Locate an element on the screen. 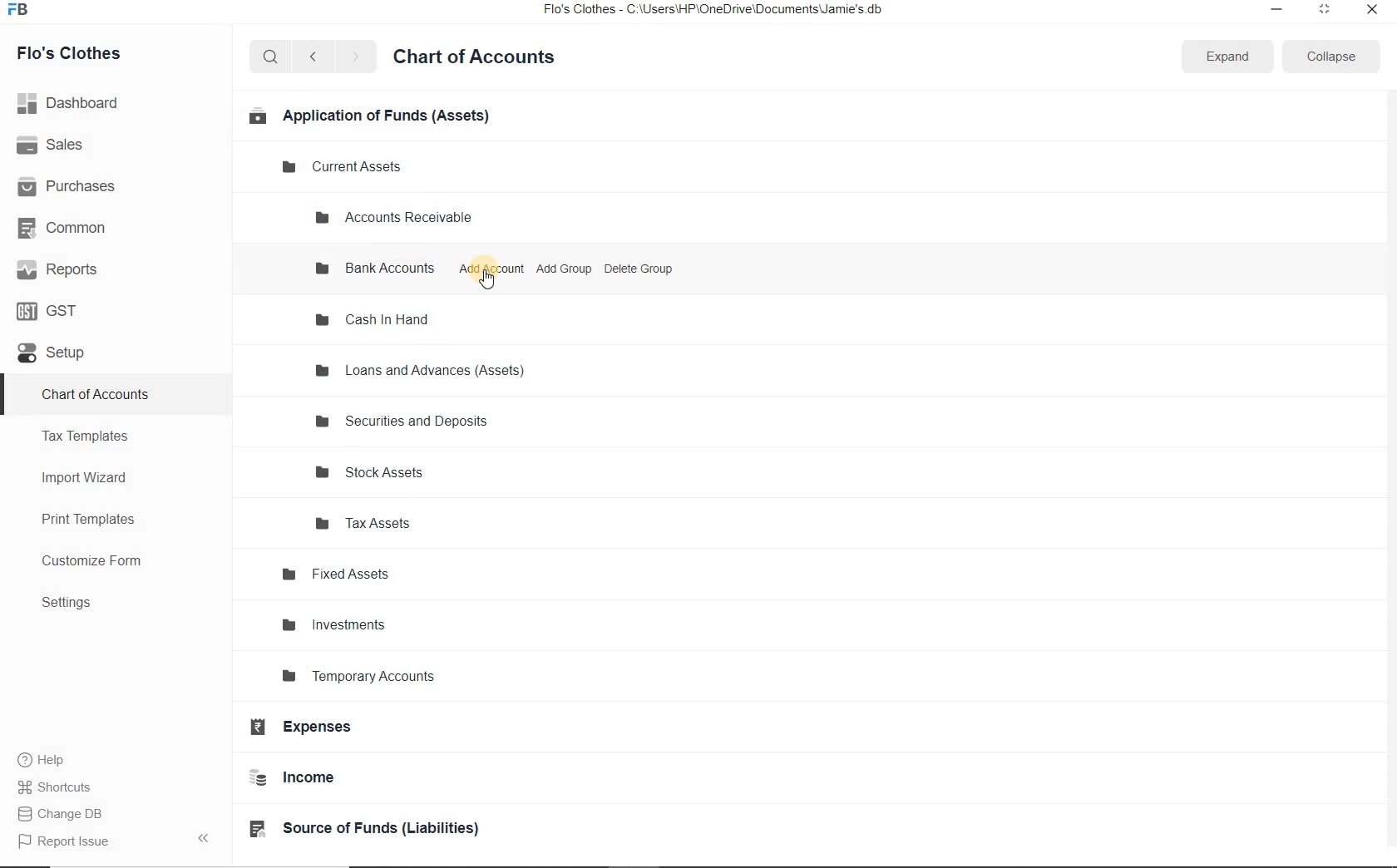  Add Account is located at coordinates (492, 269).